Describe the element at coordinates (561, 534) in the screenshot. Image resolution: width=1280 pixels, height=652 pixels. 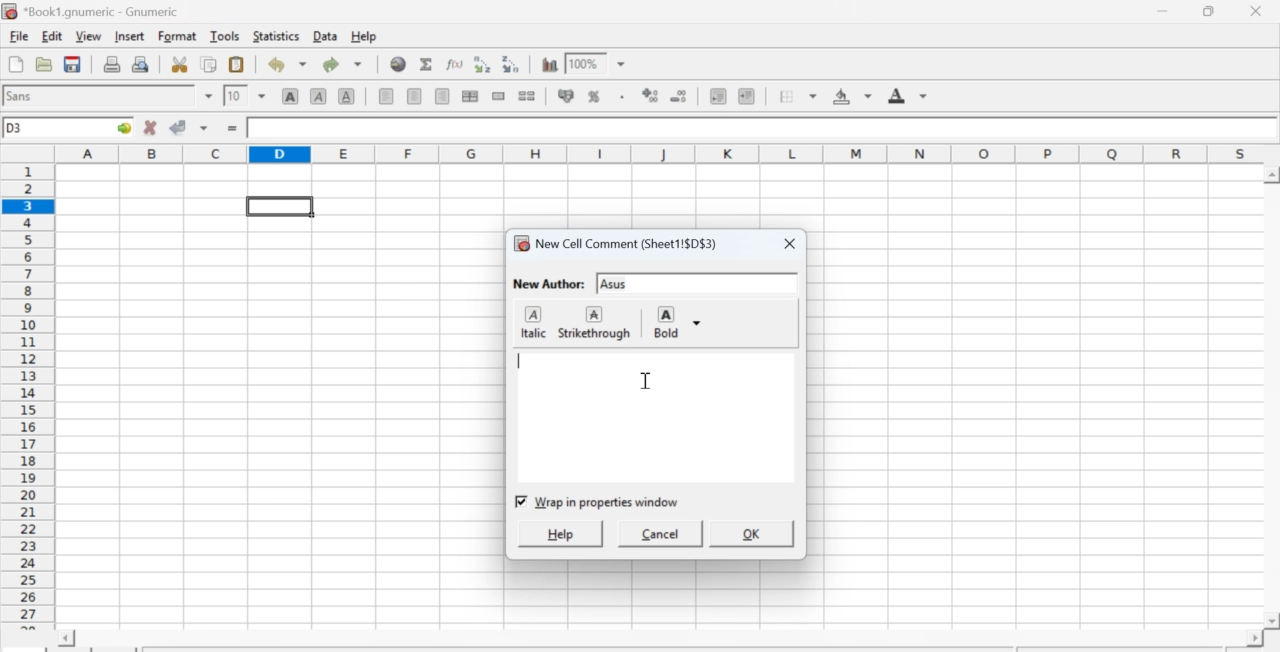
I see `help` at that location.